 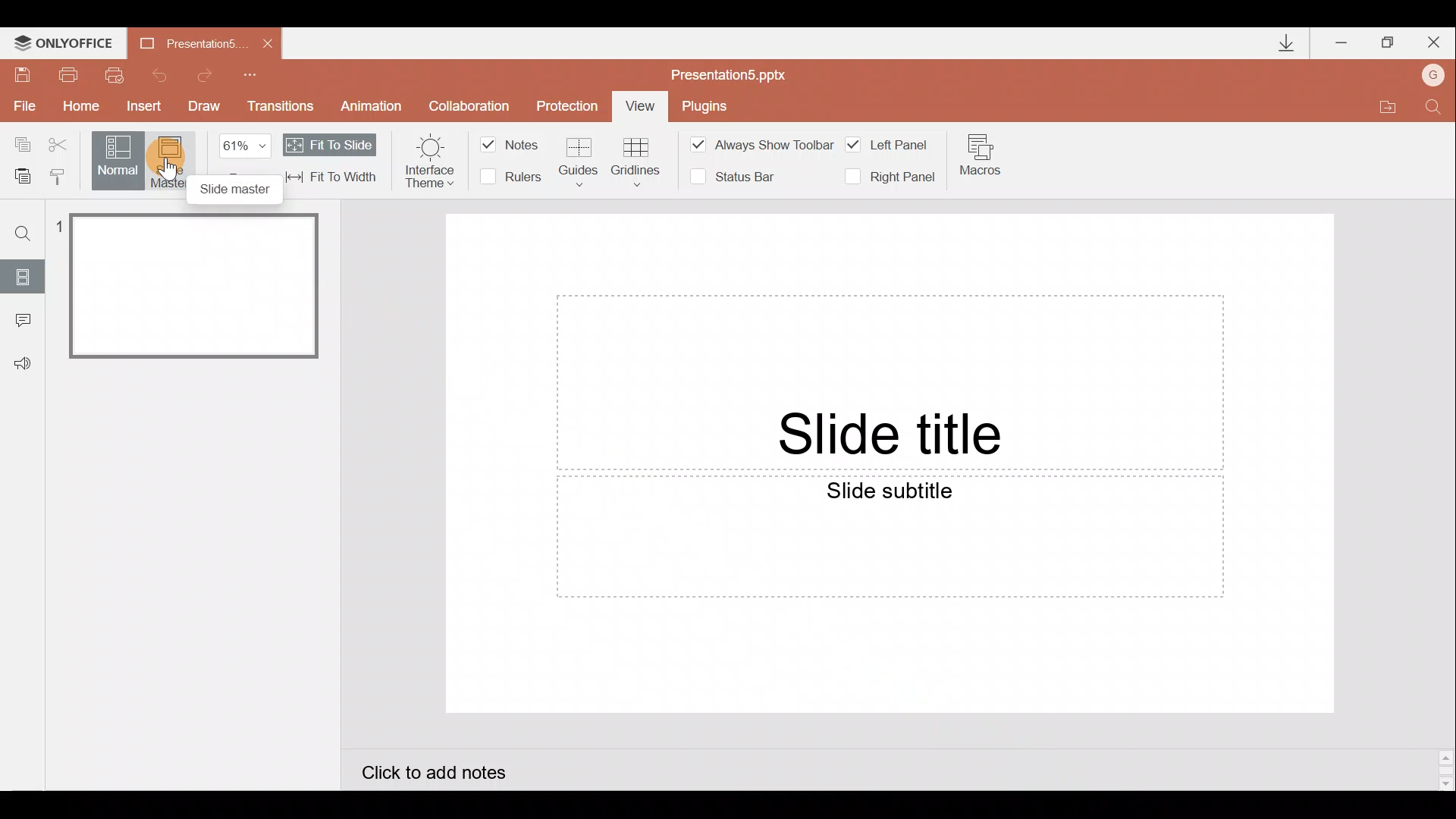 I want to click on Copy, so click(x=17, y=144).